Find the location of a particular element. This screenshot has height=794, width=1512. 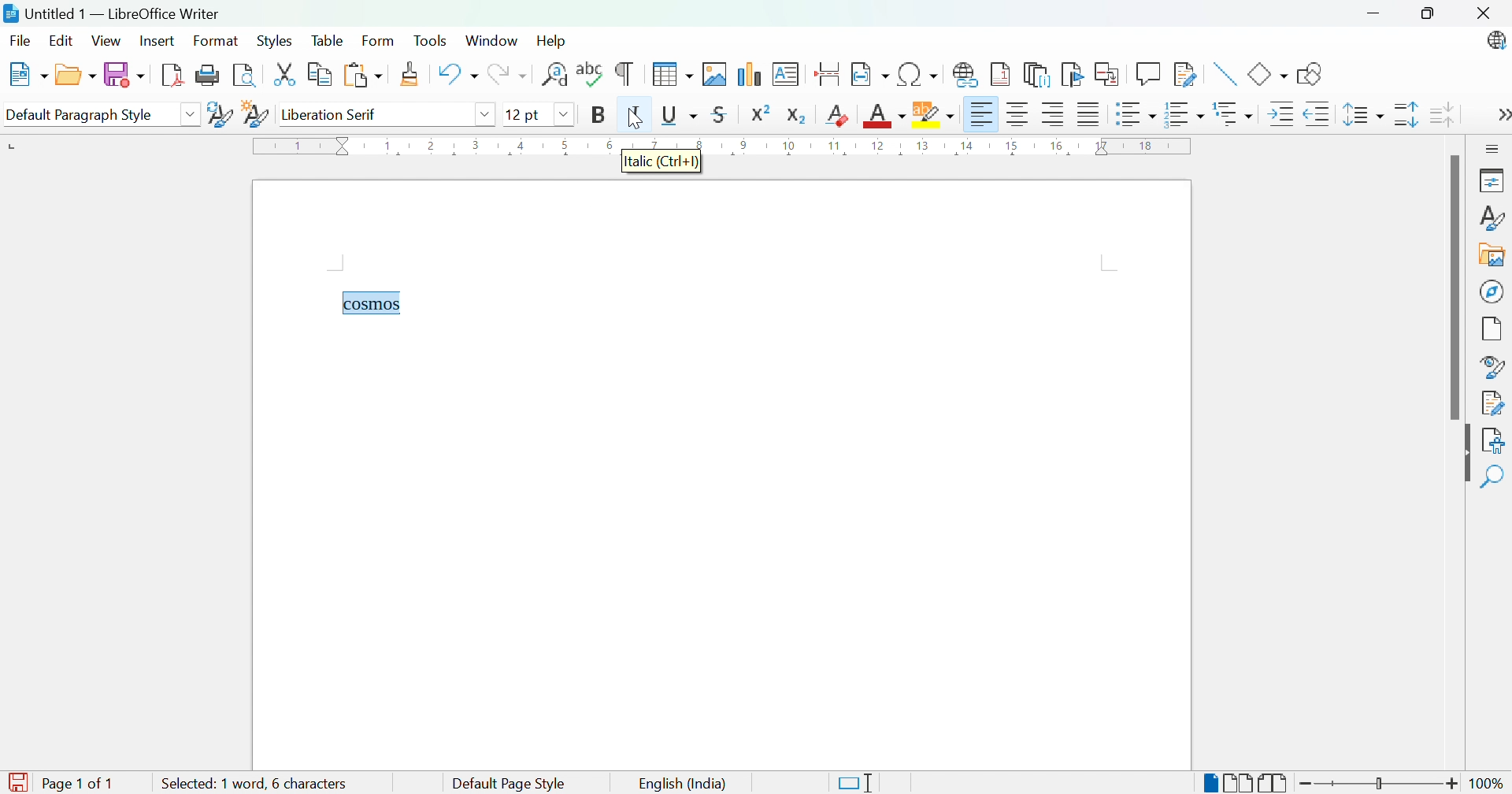

Insert hyperlink is located at coordinates (965, 77).